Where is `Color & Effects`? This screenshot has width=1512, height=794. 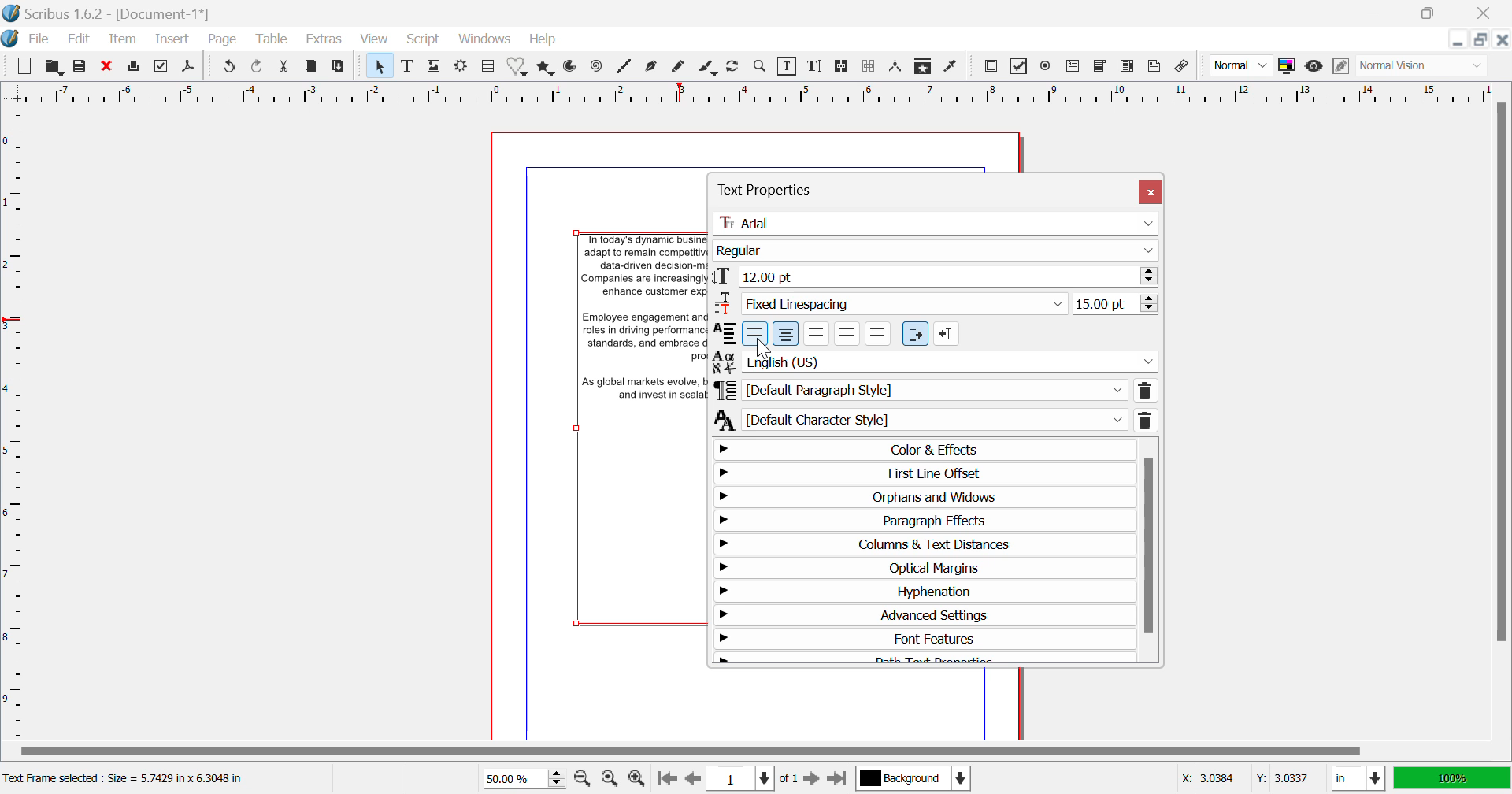 Color & Effects is located at coordinates (921, 448).